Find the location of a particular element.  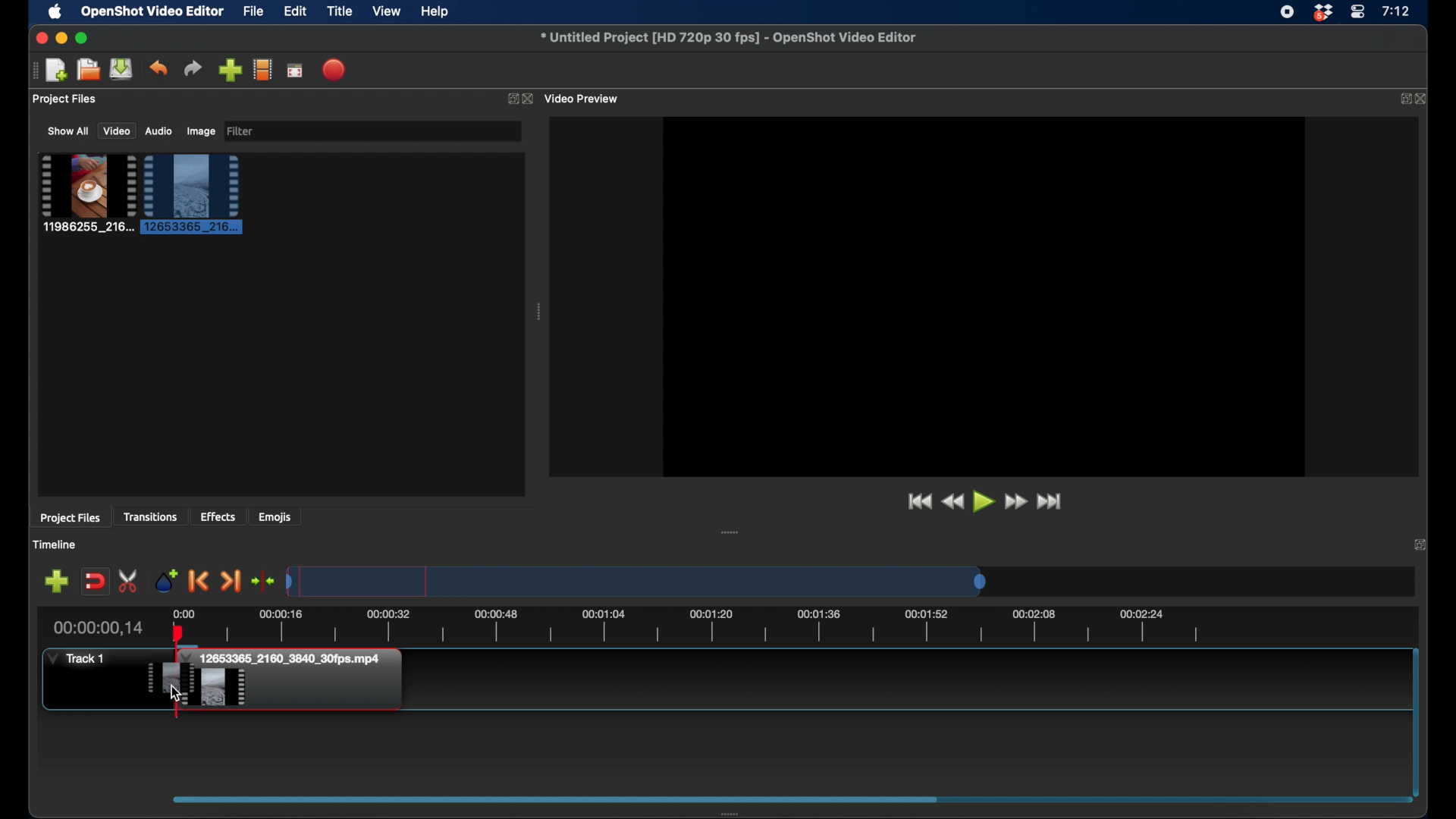

open project is located at coordinates (86, 70).